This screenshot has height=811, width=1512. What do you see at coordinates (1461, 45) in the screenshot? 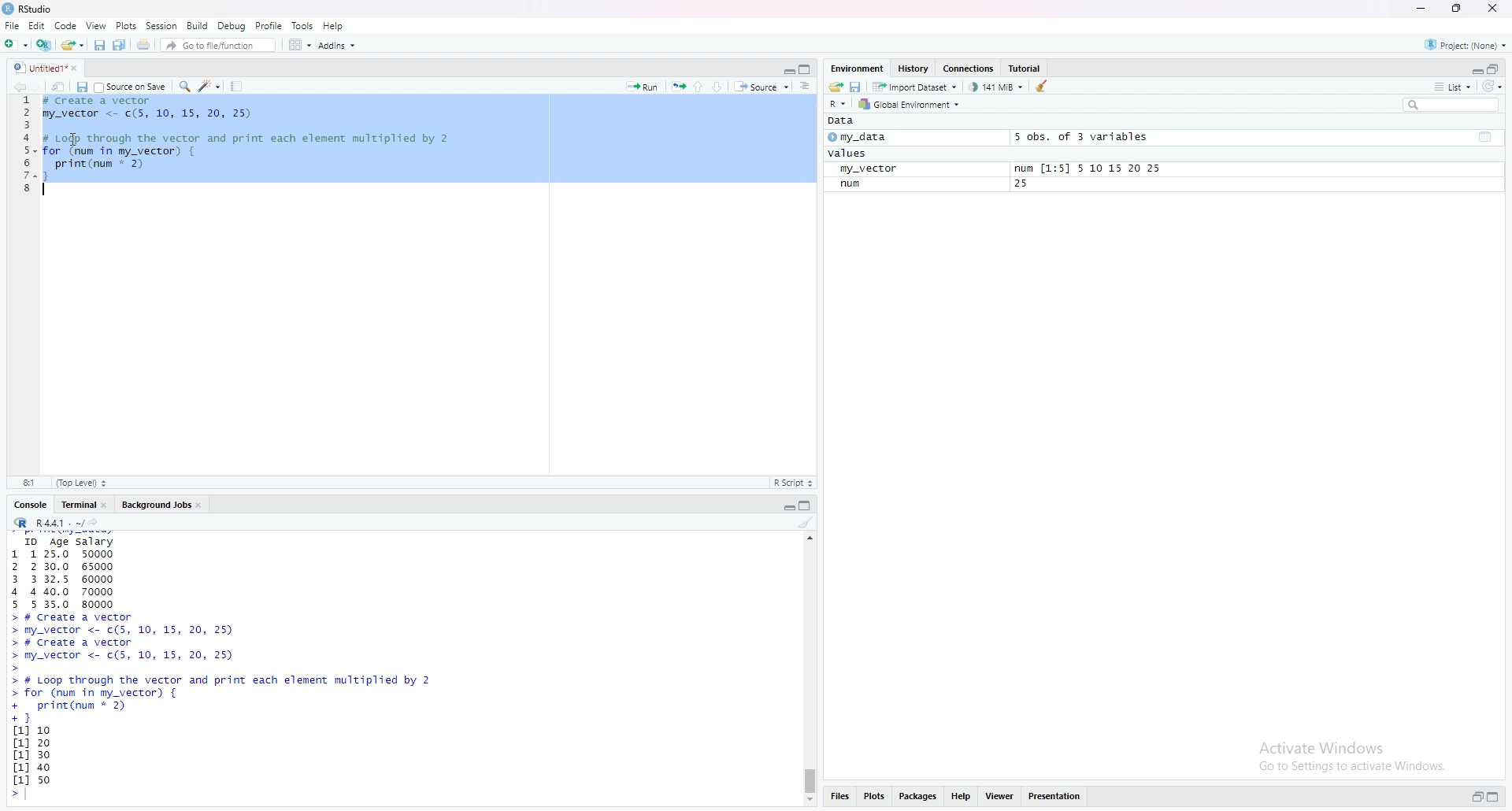
I see `project(none)` at bounding box center [1461, 45].